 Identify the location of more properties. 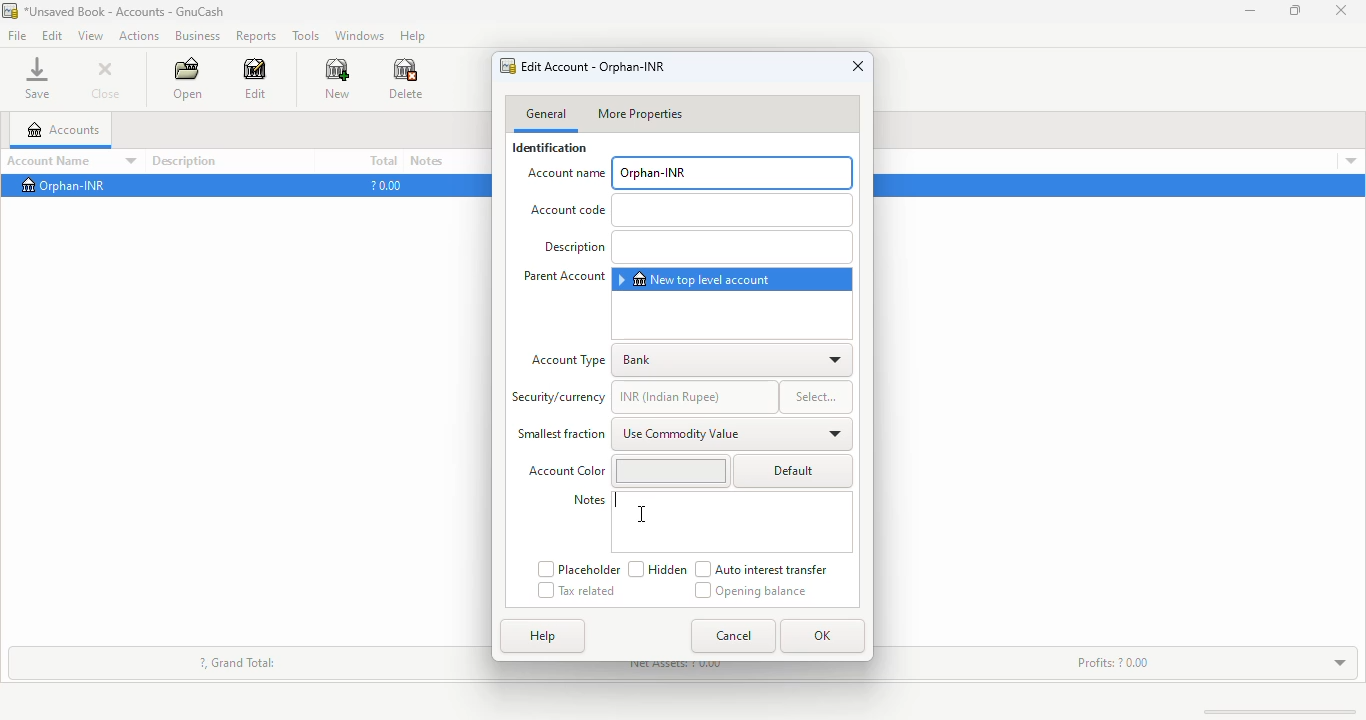
(640, 114).